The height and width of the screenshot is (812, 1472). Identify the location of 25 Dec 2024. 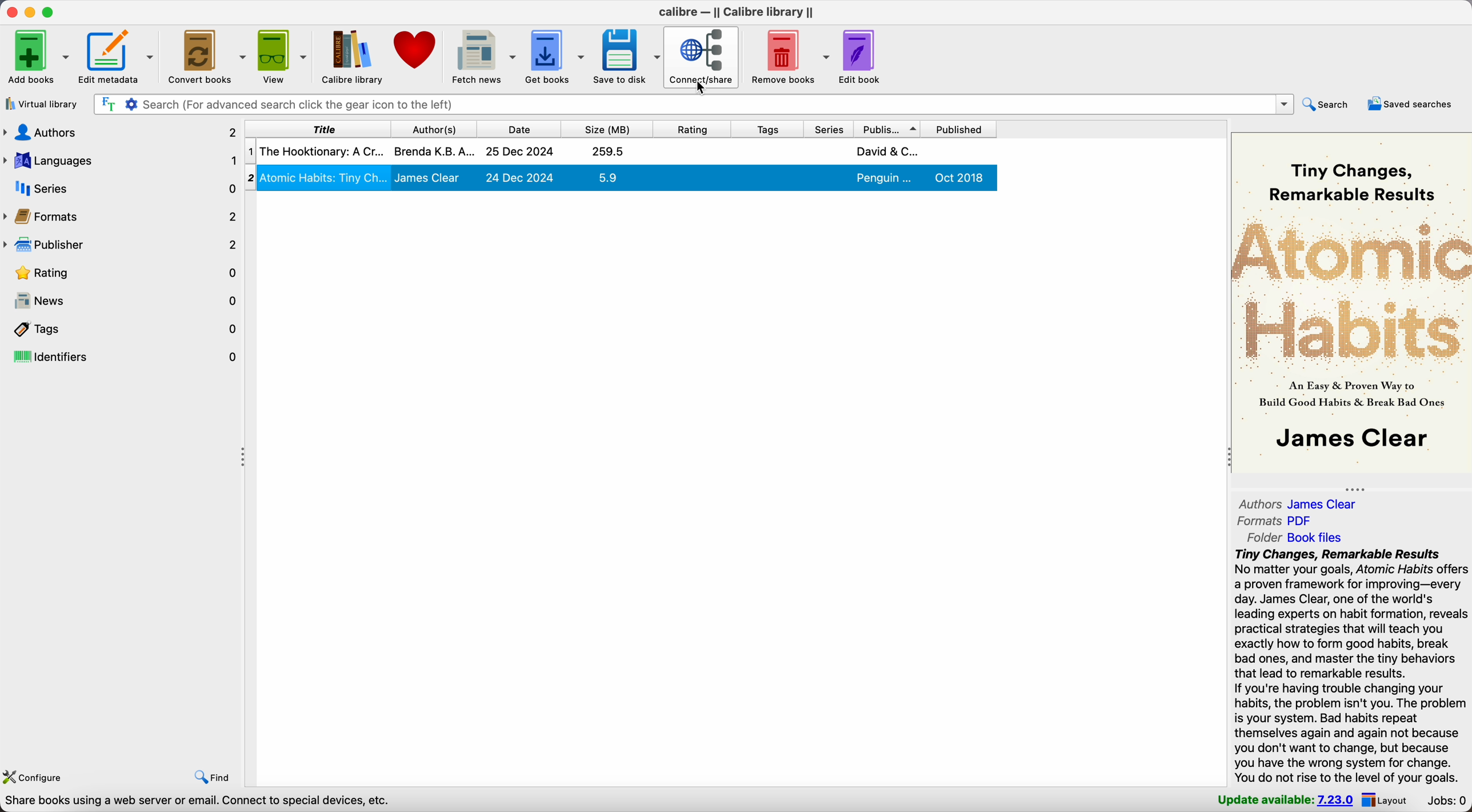
(520, 152).